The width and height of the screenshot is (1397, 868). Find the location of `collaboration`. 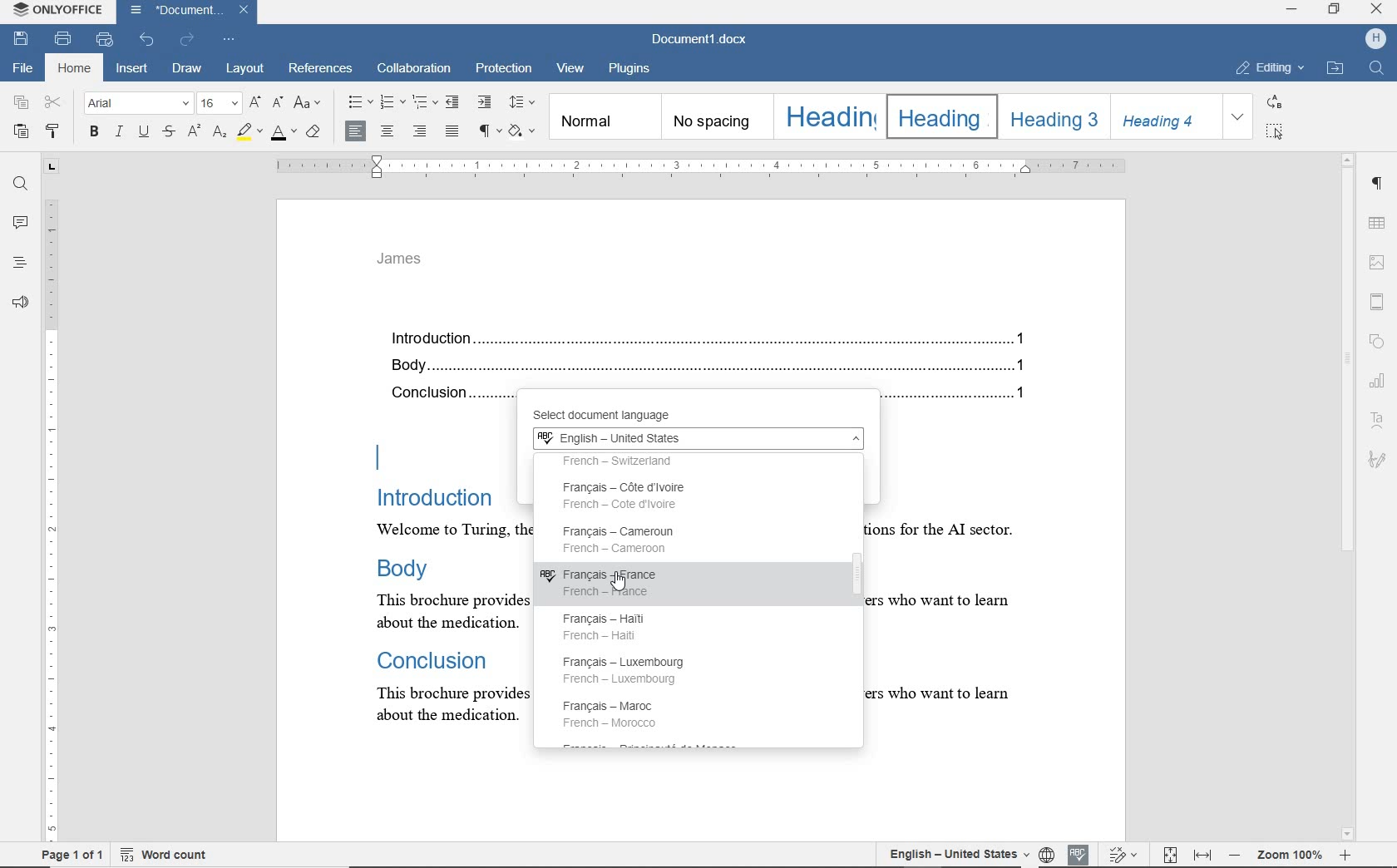

collaboration is located at coordinates (415, 70).